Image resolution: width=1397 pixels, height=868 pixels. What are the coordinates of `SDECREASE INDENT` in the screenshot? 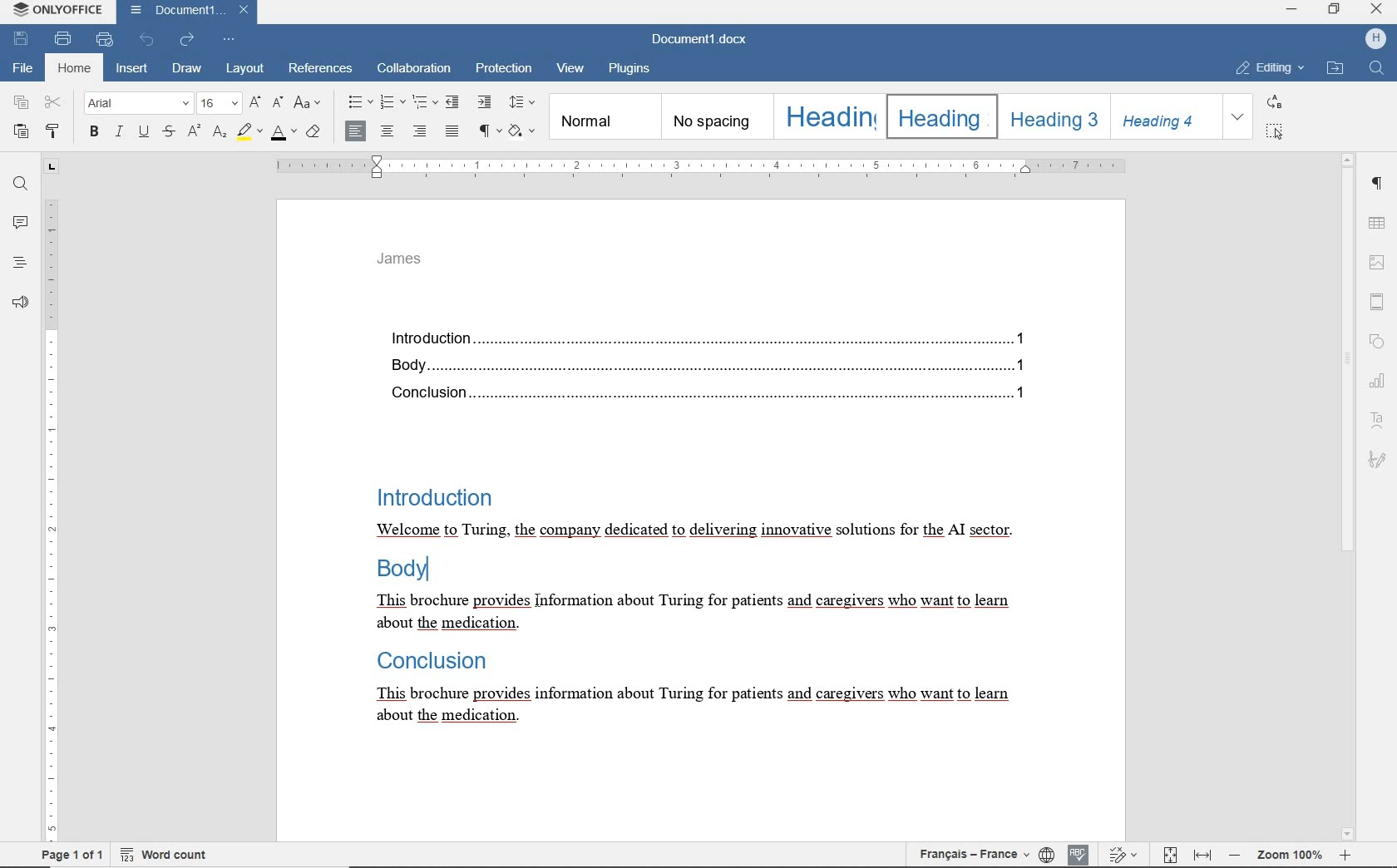 It's located at (425, 104).